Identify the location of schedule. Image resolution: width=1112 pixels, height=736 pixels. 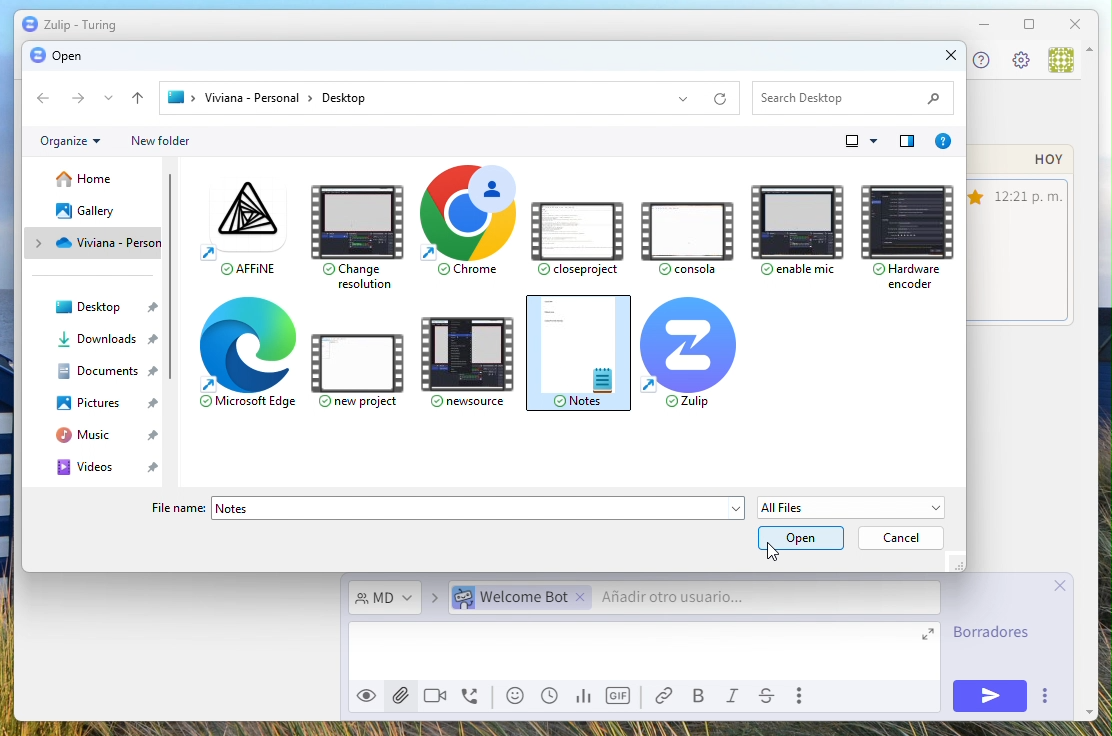
(550, 696).